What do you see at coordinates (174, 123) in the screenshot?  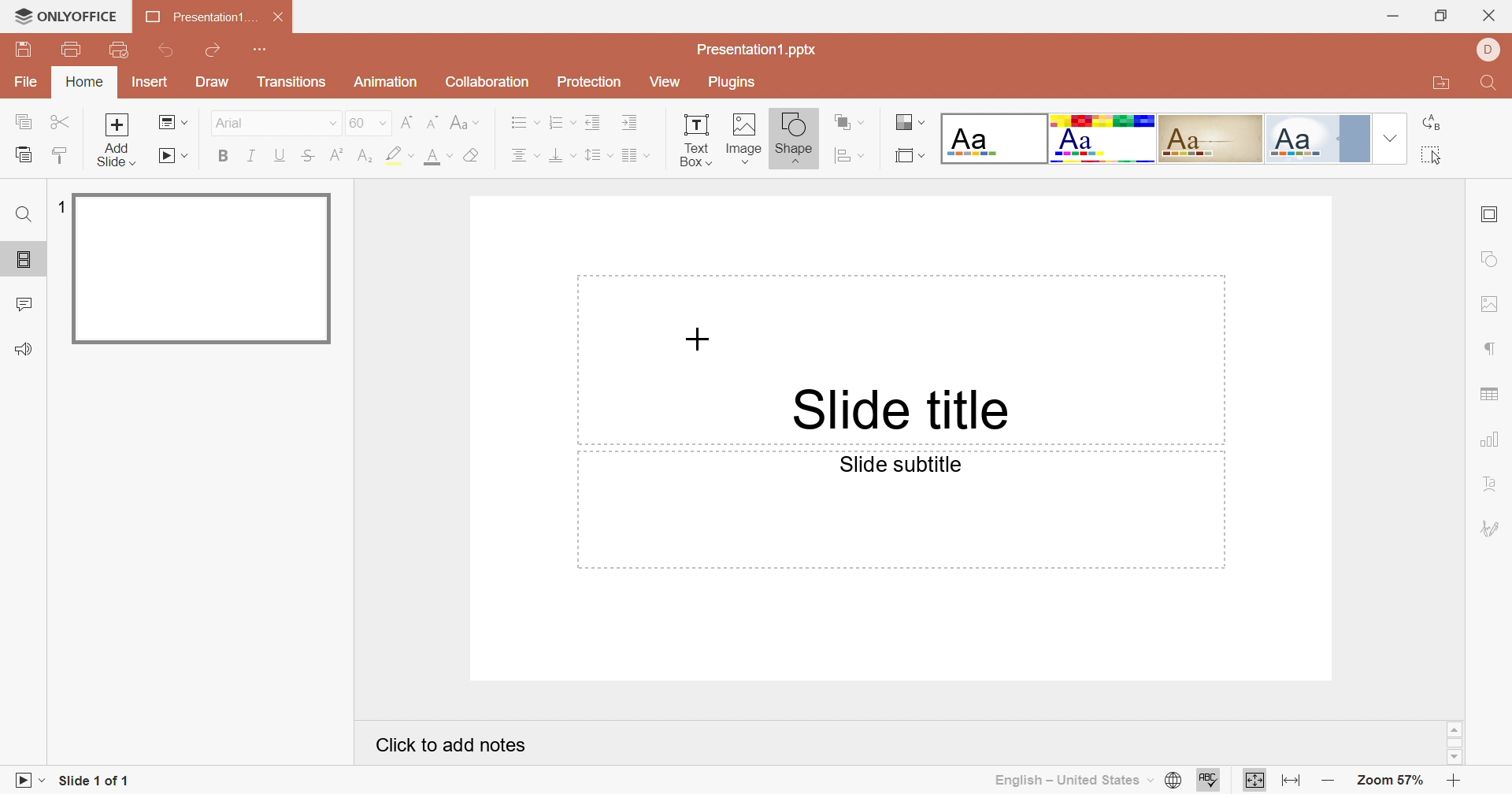 I see `Change slide layout` at bounding box center [174, 123].